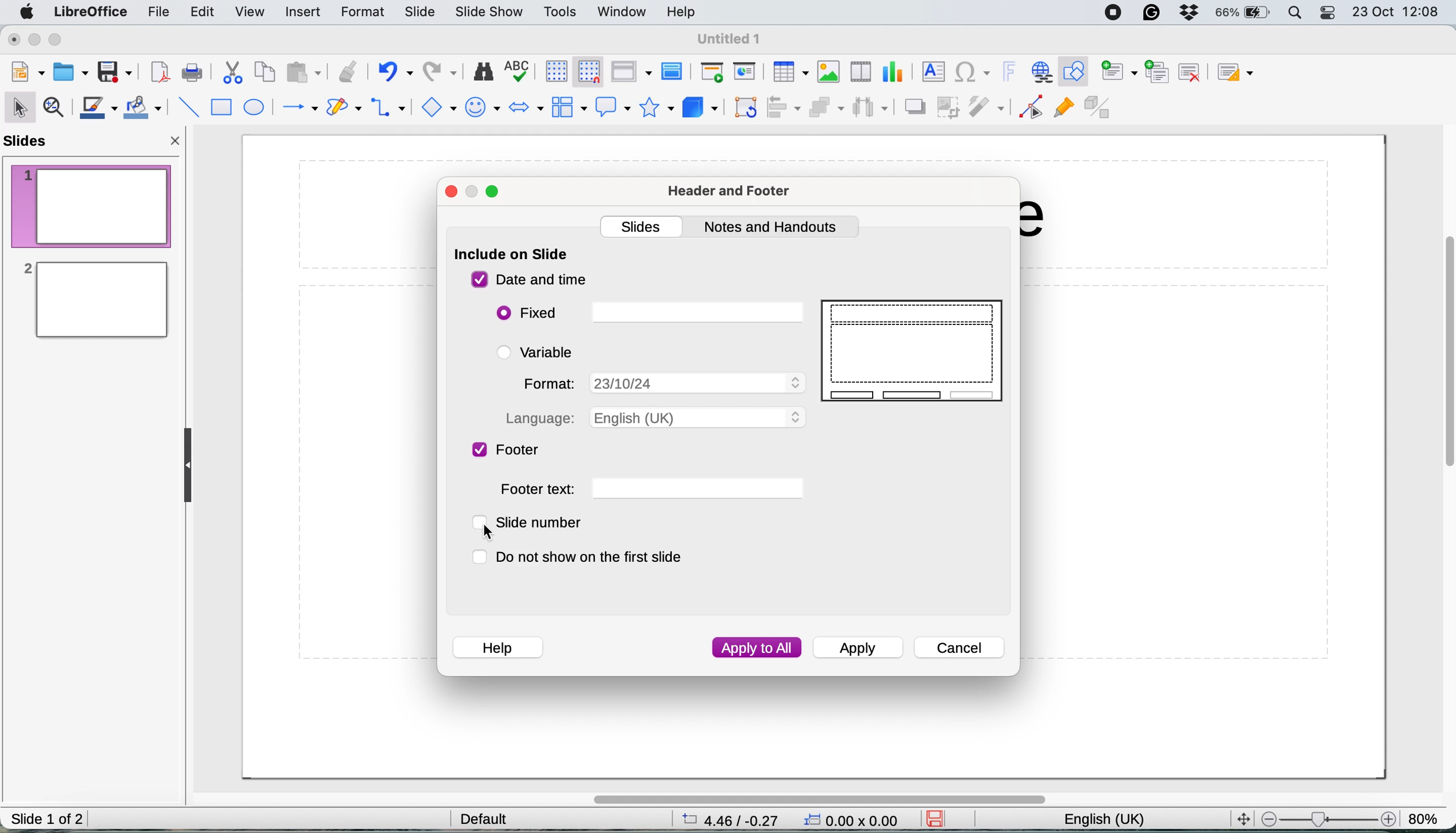 This screenshot has height=833, width=1456. What do you see at coordinates (395, 73) in the screenshot?
I see `undo` at bounding box center [395, 73].